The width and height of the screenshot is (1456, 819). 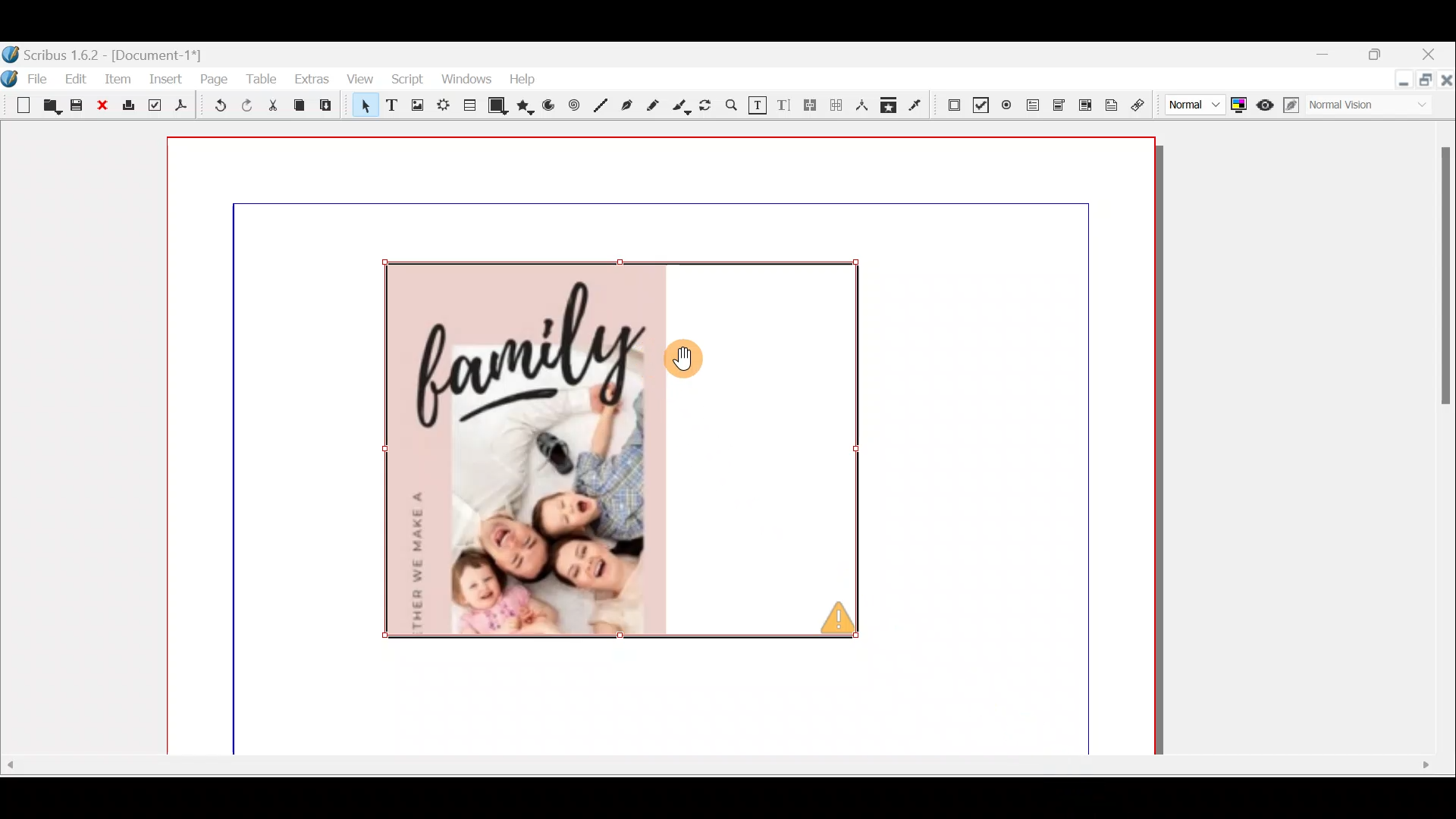 I want to click on Freehand line, so click(x=651, y=107).